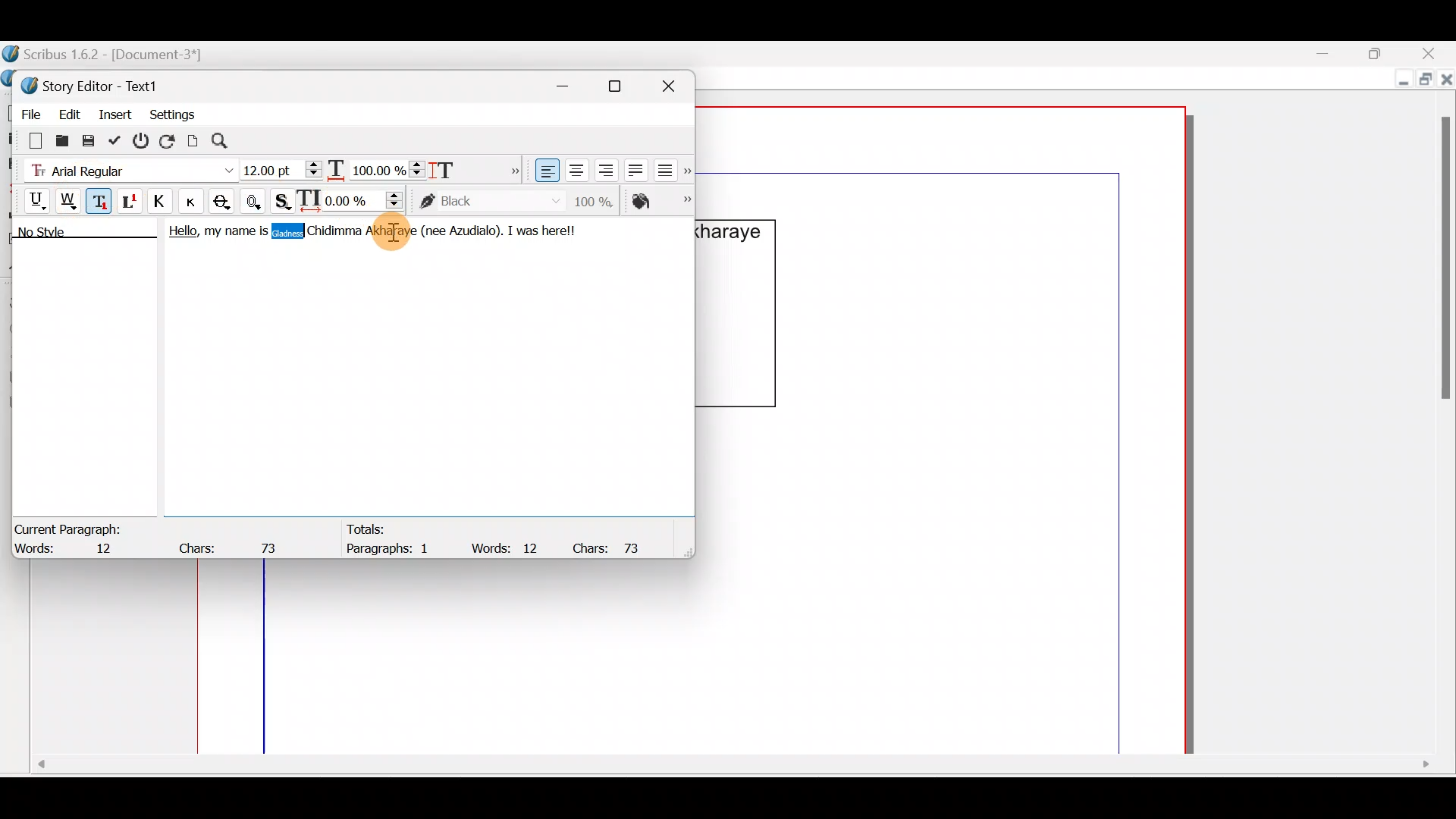 The height and width of the screenshot is (819, 1456). What do you see at coordinates (27, 111) in the screenshot?
I see `File` at bounding box center [27, 111].